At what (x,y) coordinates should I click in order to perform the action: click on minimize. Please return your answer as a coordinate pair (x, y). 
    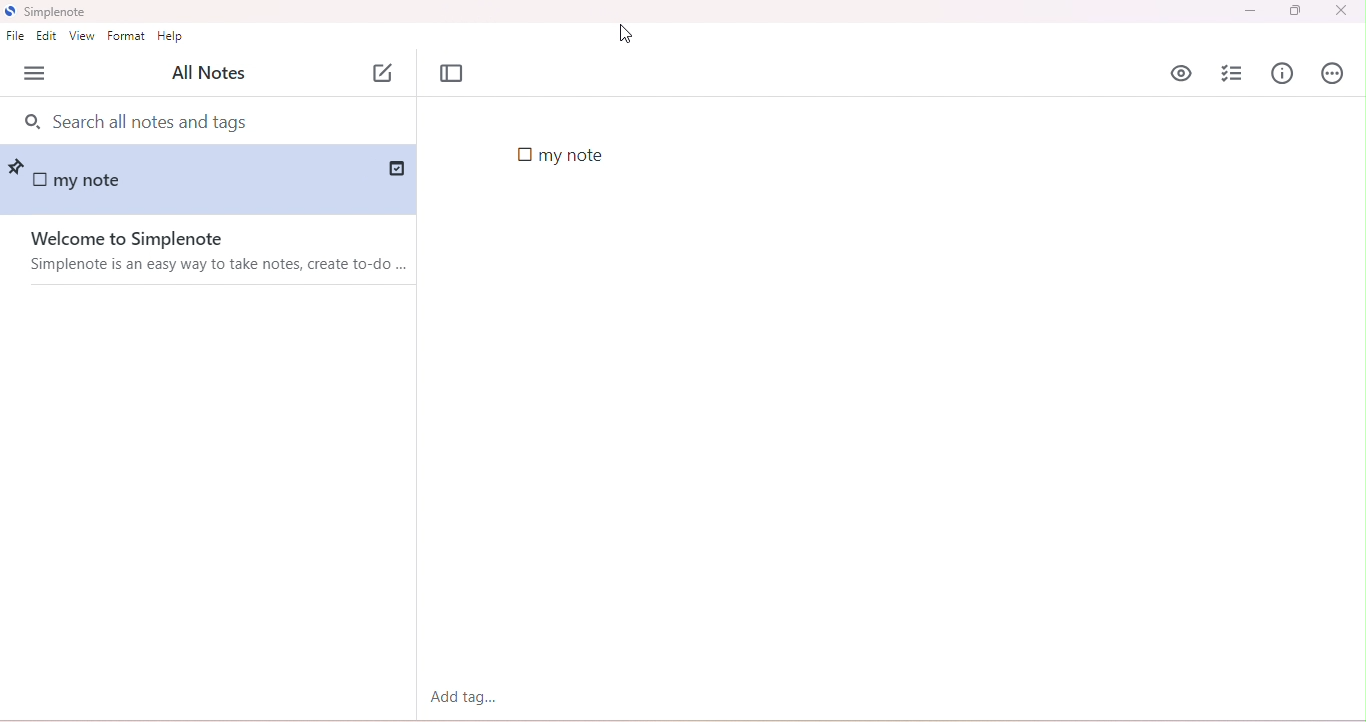
    Looking at the image, I should click on (1248, 12).